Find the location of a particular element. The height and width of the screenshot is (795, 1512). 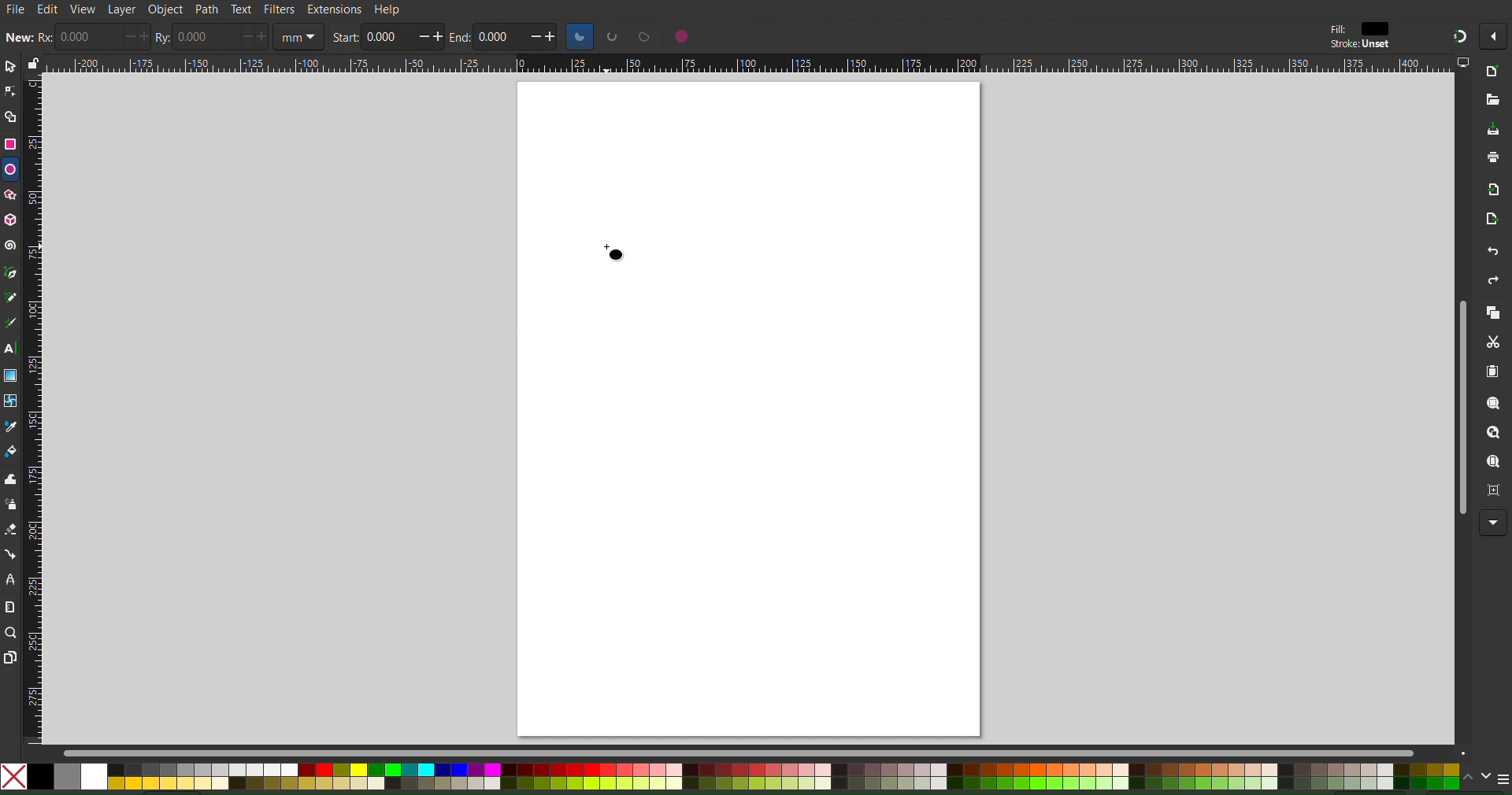

color is located at coordinates (1377, 28).